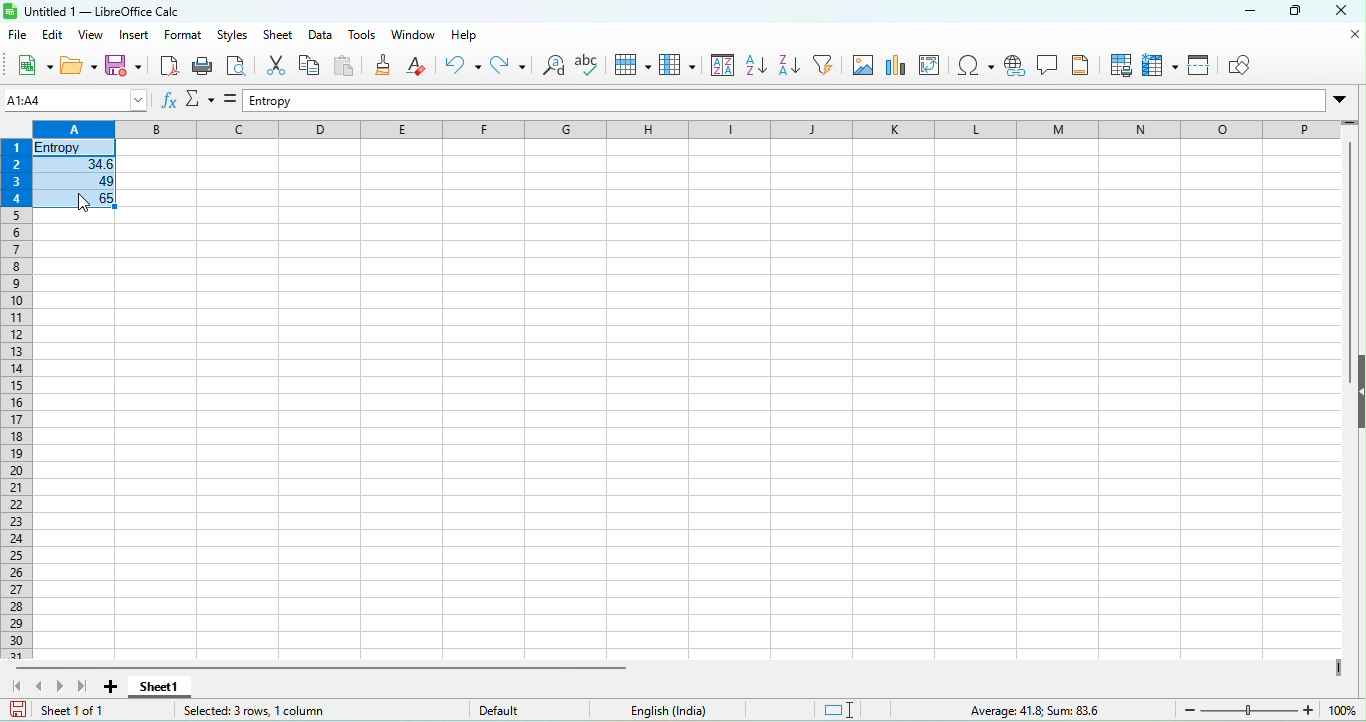 The height and width of the screenshot is (722, 1366). I want to click on hyperlink, so click(1016, 68).